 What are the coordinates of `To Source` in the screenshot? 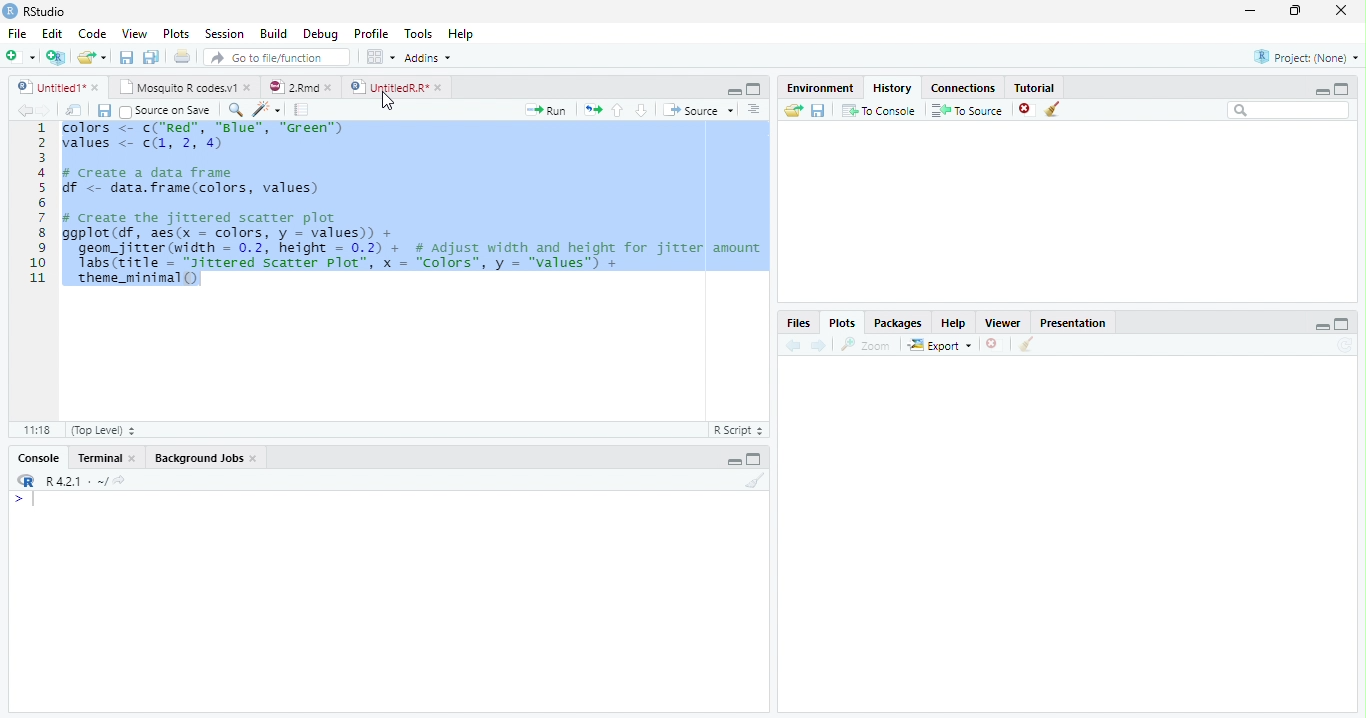 It's located at (968, 110).